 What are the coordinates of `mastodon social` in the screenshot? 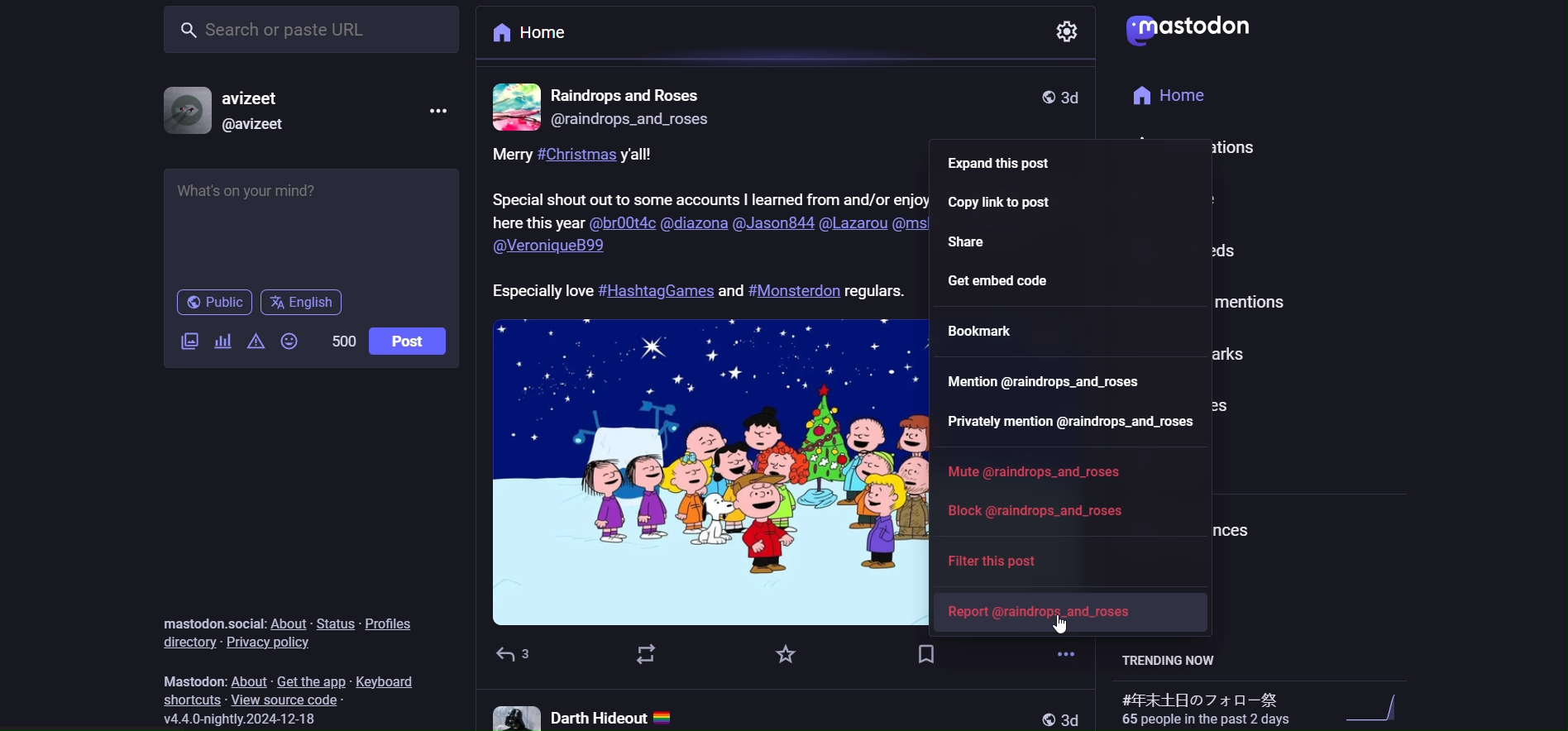 It's located at (211, 621).